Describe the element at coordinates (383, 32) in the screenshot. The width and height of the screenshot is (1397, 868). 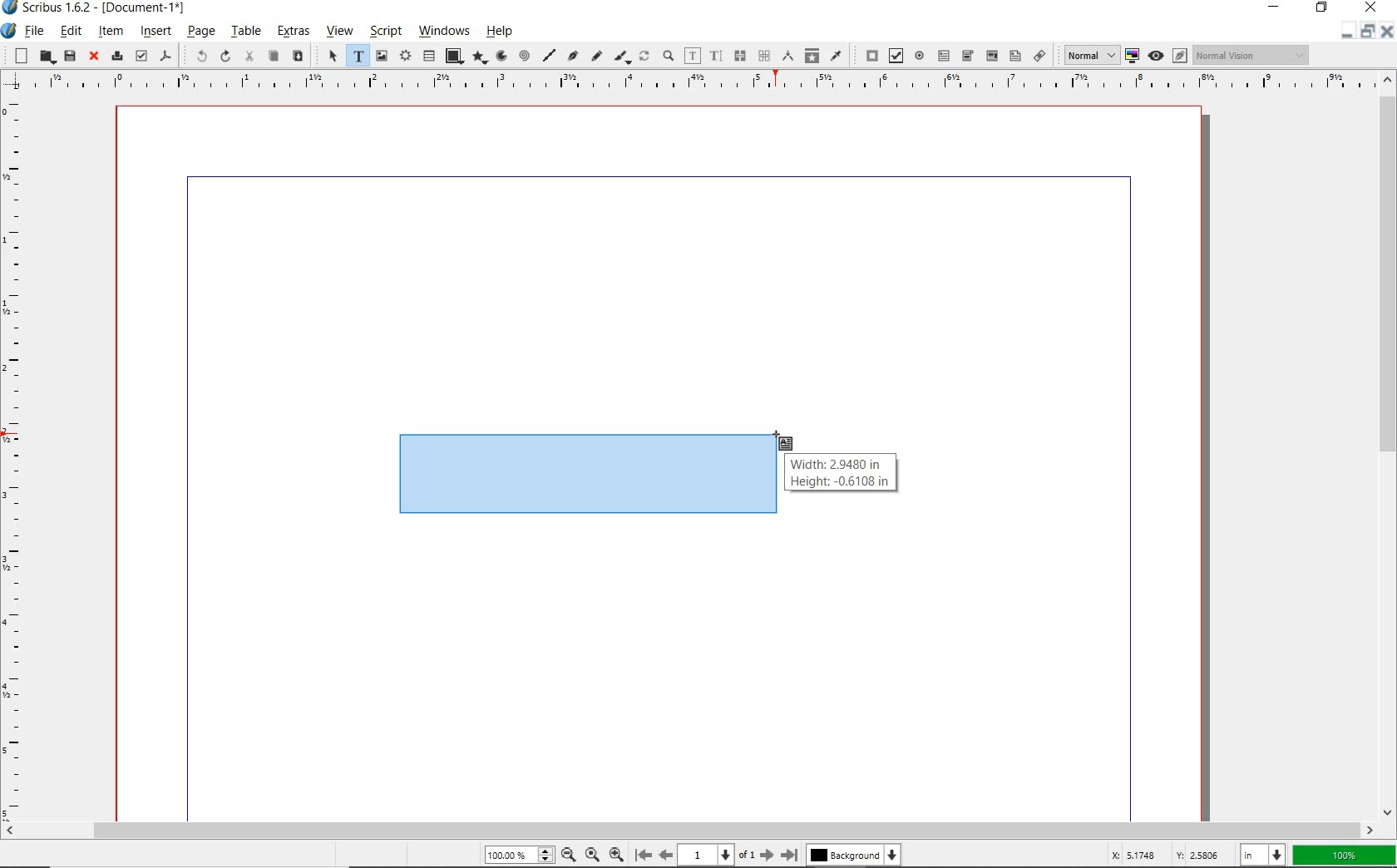
I see `script` at that location.